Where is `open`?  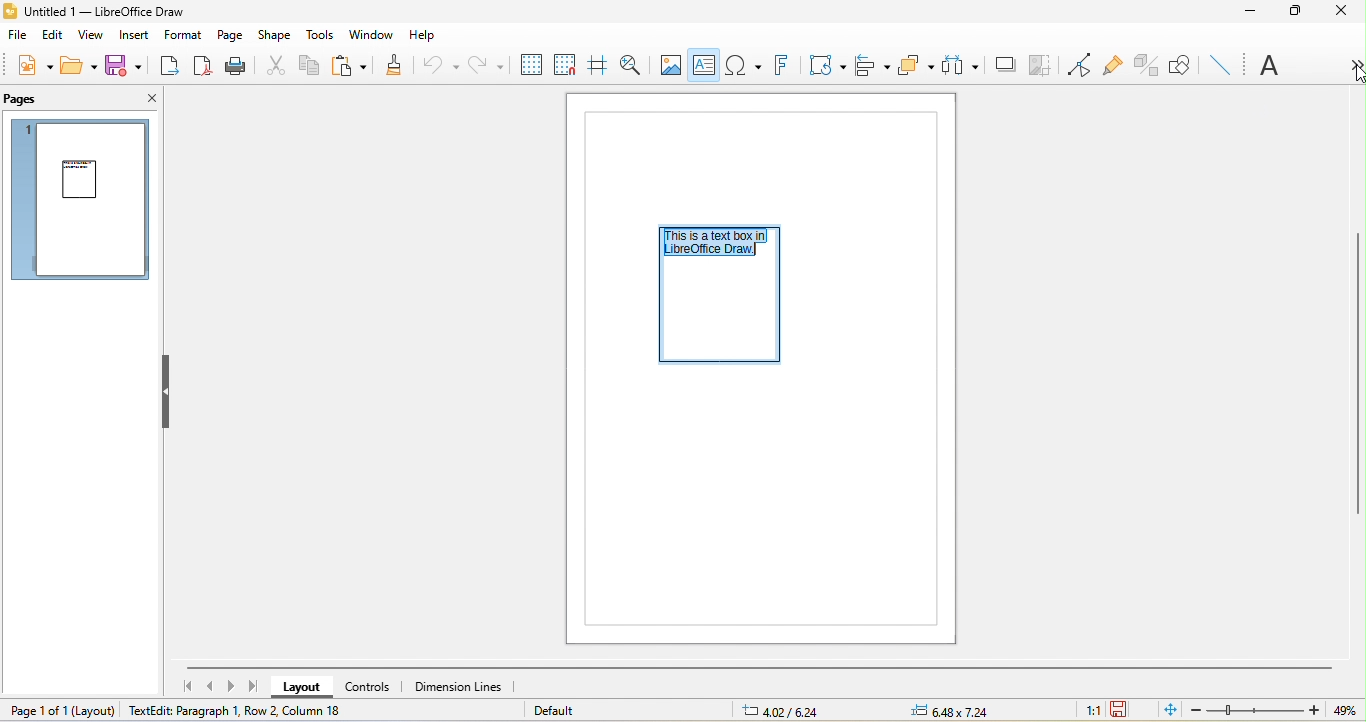
open is located at coordinates (78, 65).